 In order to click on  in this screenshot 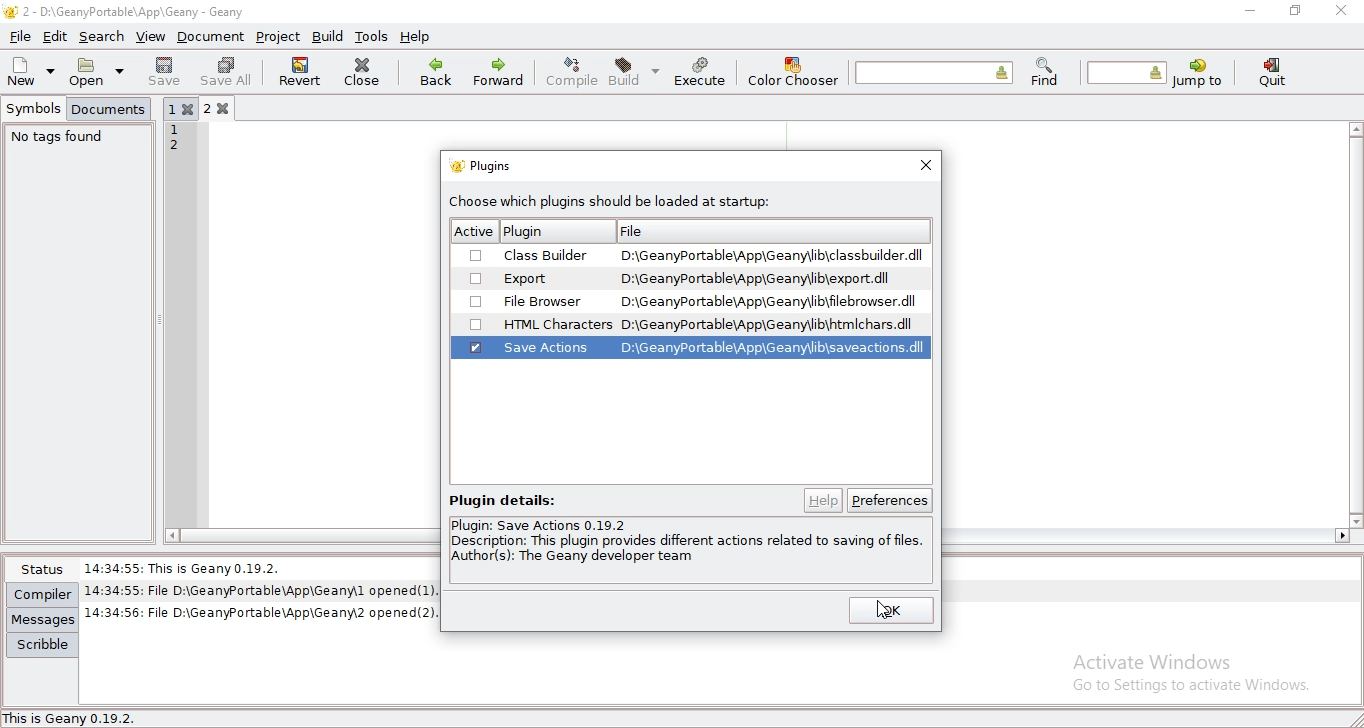, I will do `click(177, 108)`.